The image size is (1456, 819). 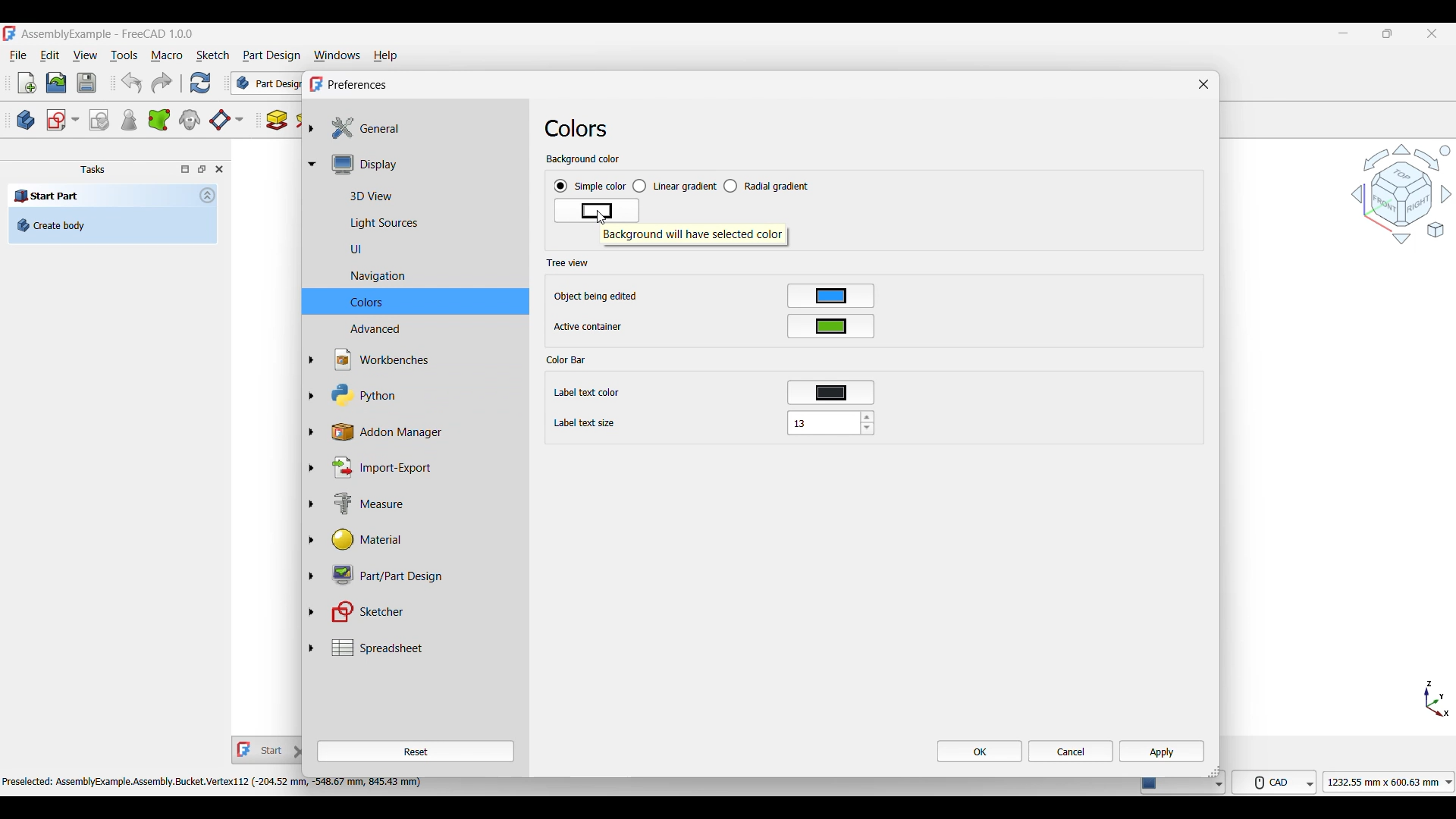 What do you see at coordinates (831, 344) in the screenshot?
I see `Color change option for respective setting` at bounding box center [831, 344].